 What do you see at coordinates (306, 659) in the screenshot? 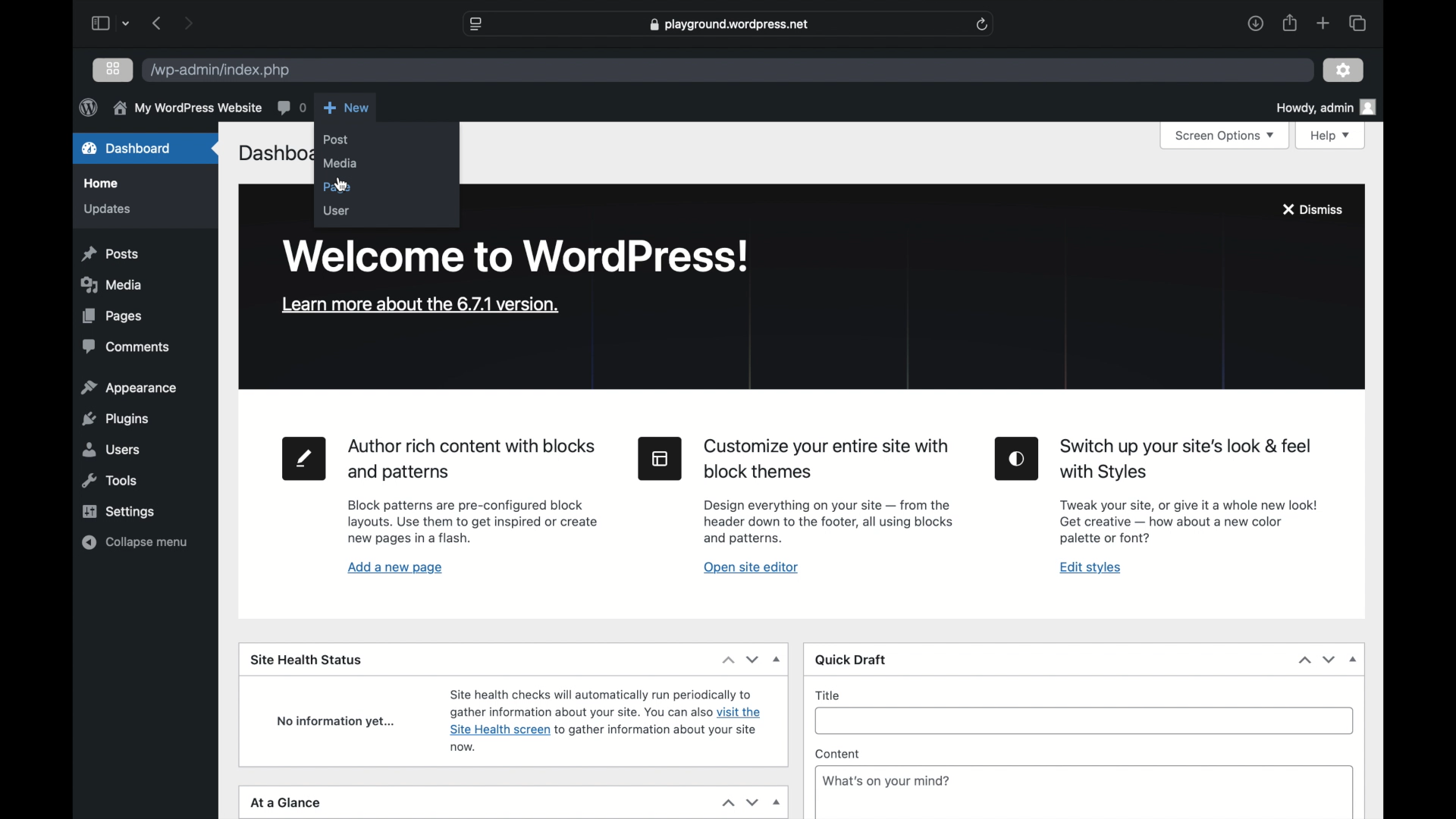
I see `site health status` at bounding box center [306, 659].